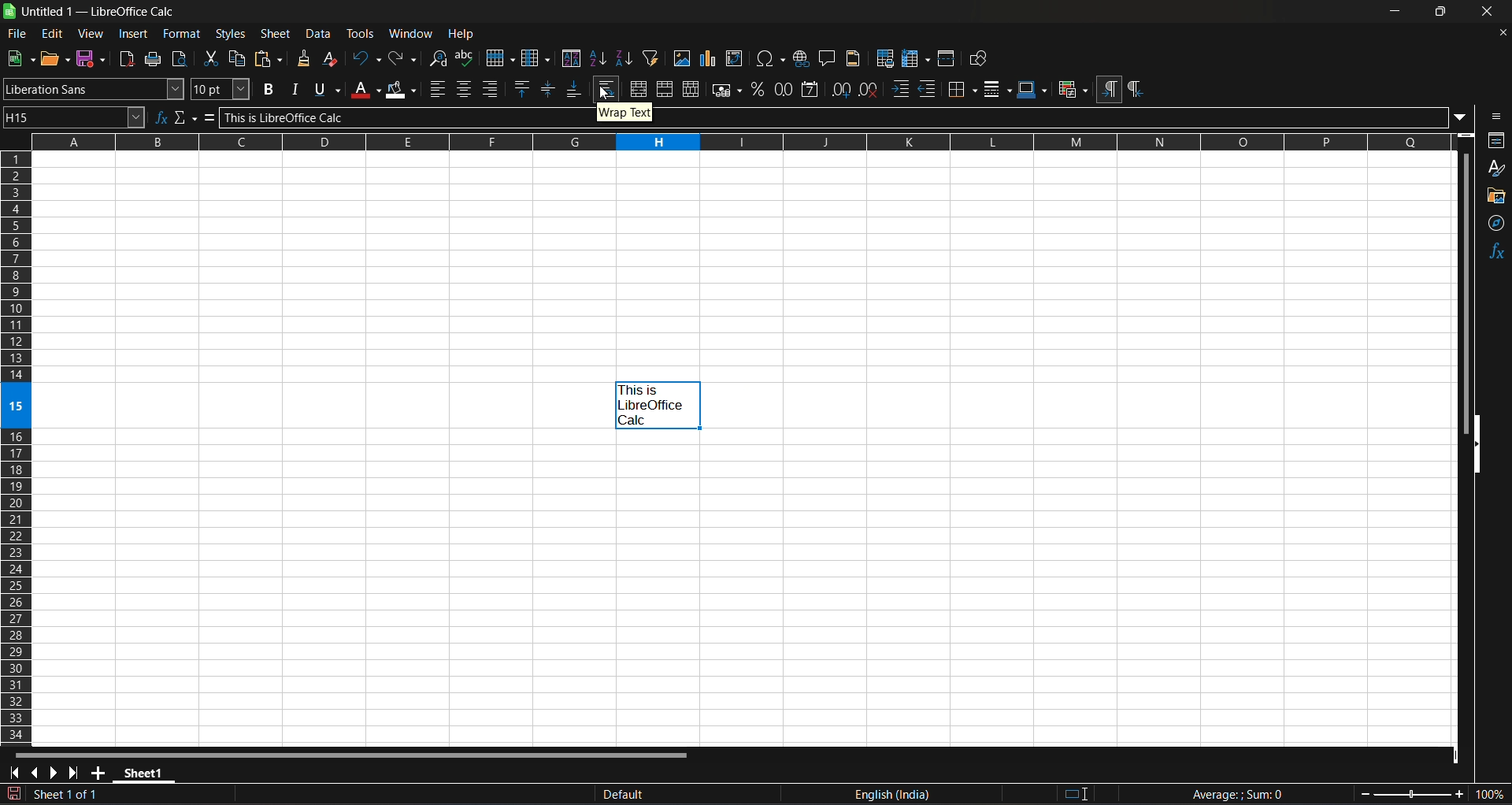  I want to click on horizontal scroll bar, so click(356, 755).